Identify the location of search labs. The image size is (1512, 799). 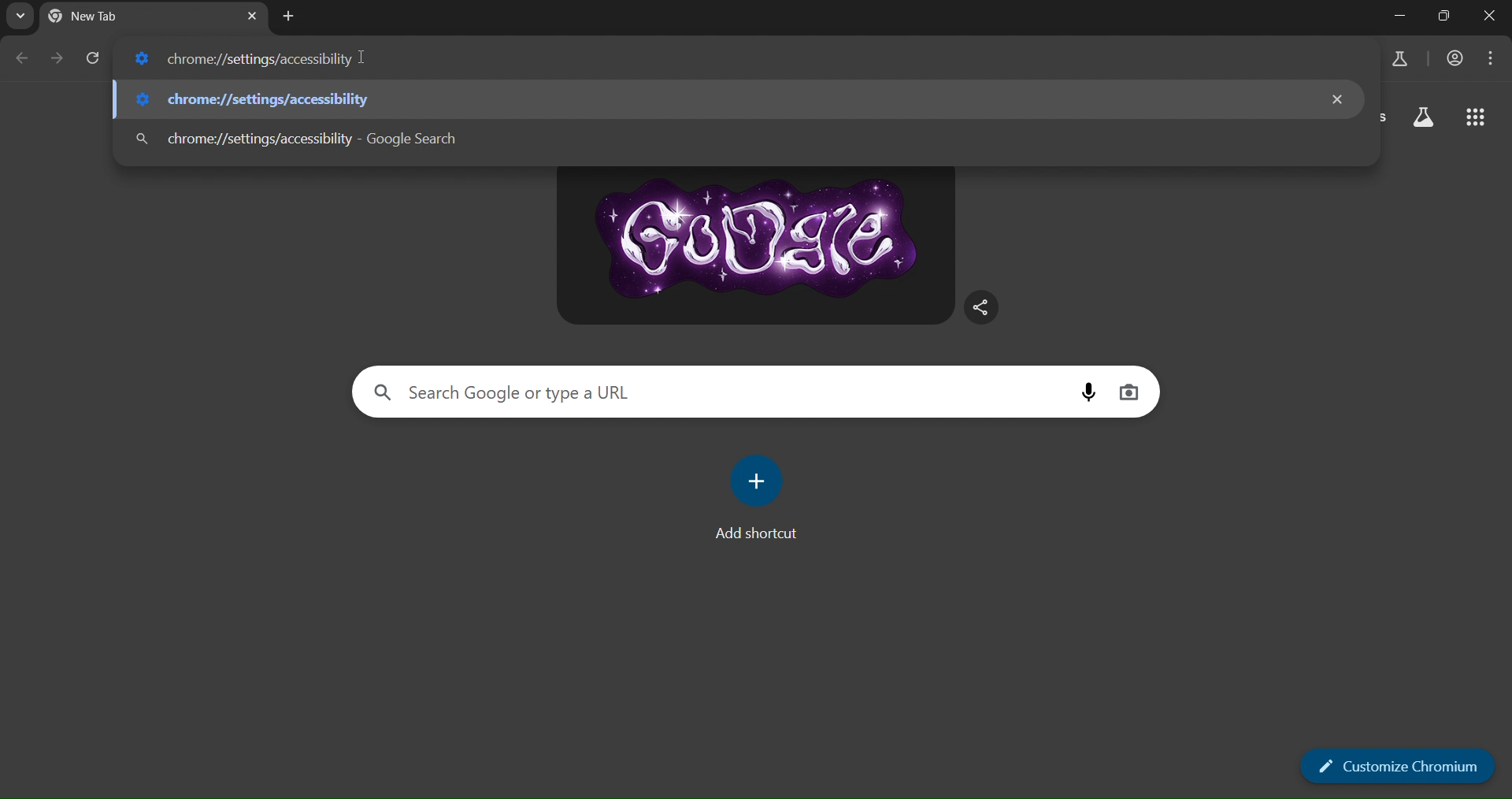
(1397, 59).